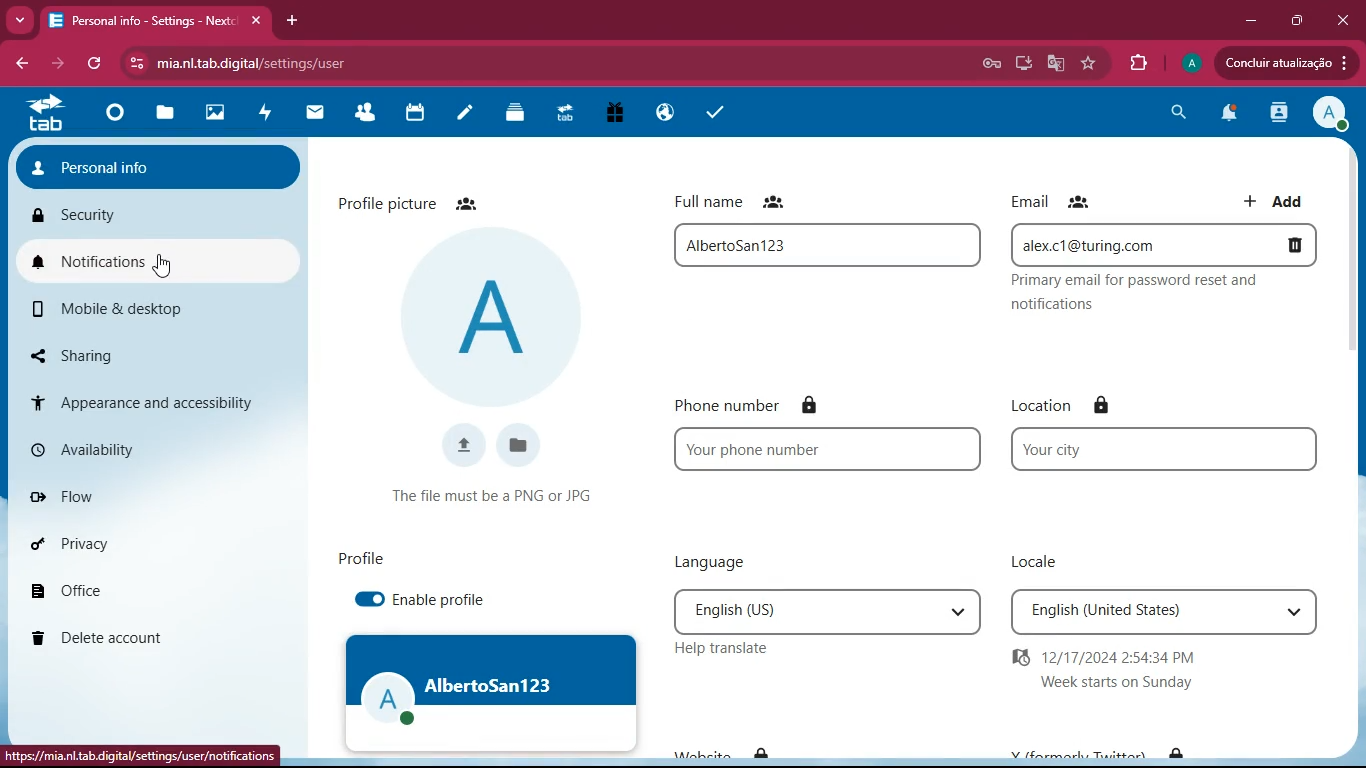 The width and height of the screenshot is (1366, 768). What do you see at coordinates (824, 449) in the screenshot?
I see `phone number` at bounding box center [824, 449].